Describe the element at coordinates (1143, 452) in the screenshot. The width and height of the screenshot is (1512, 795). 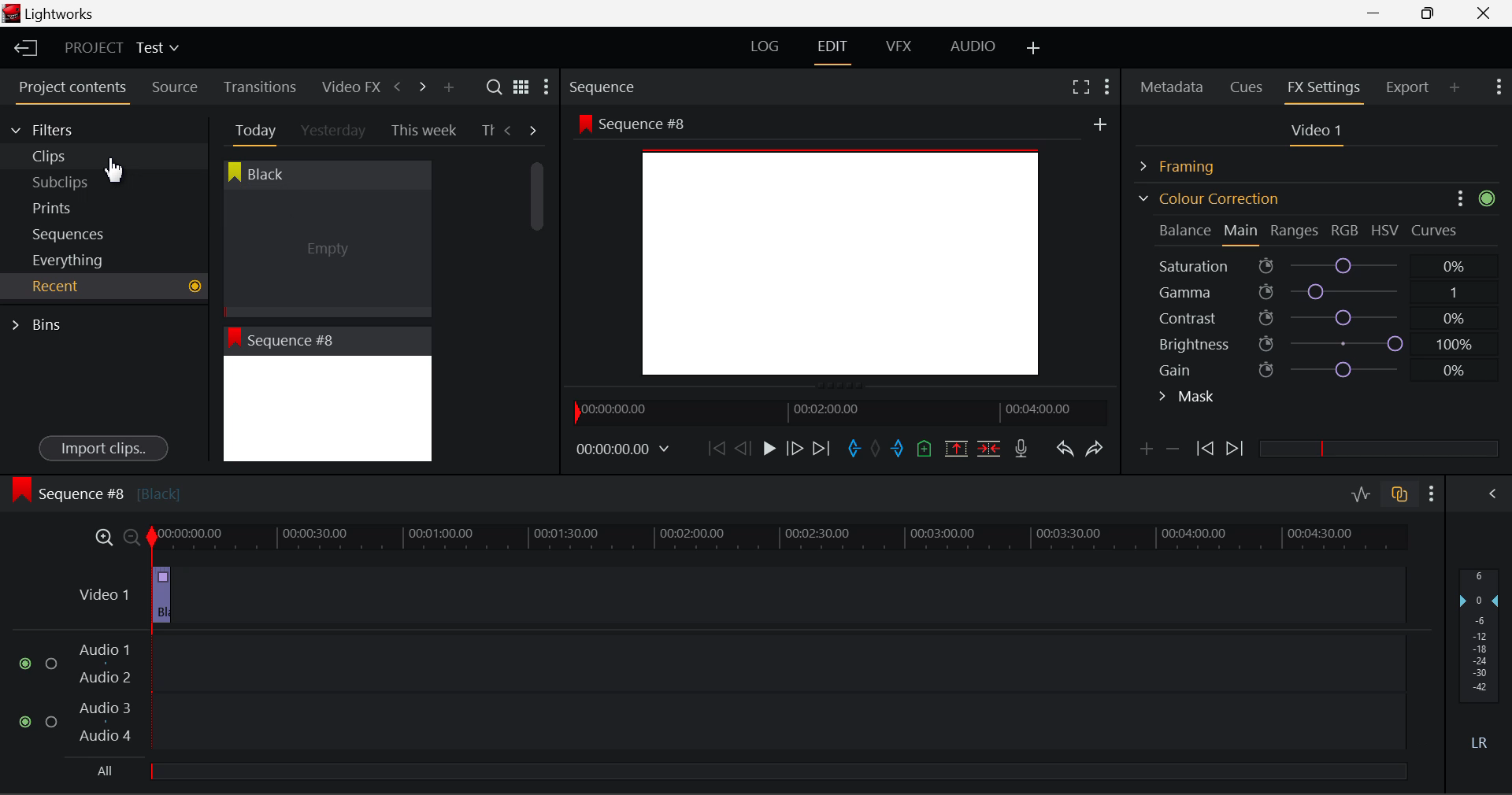
I see `Add keyframe` at that location.